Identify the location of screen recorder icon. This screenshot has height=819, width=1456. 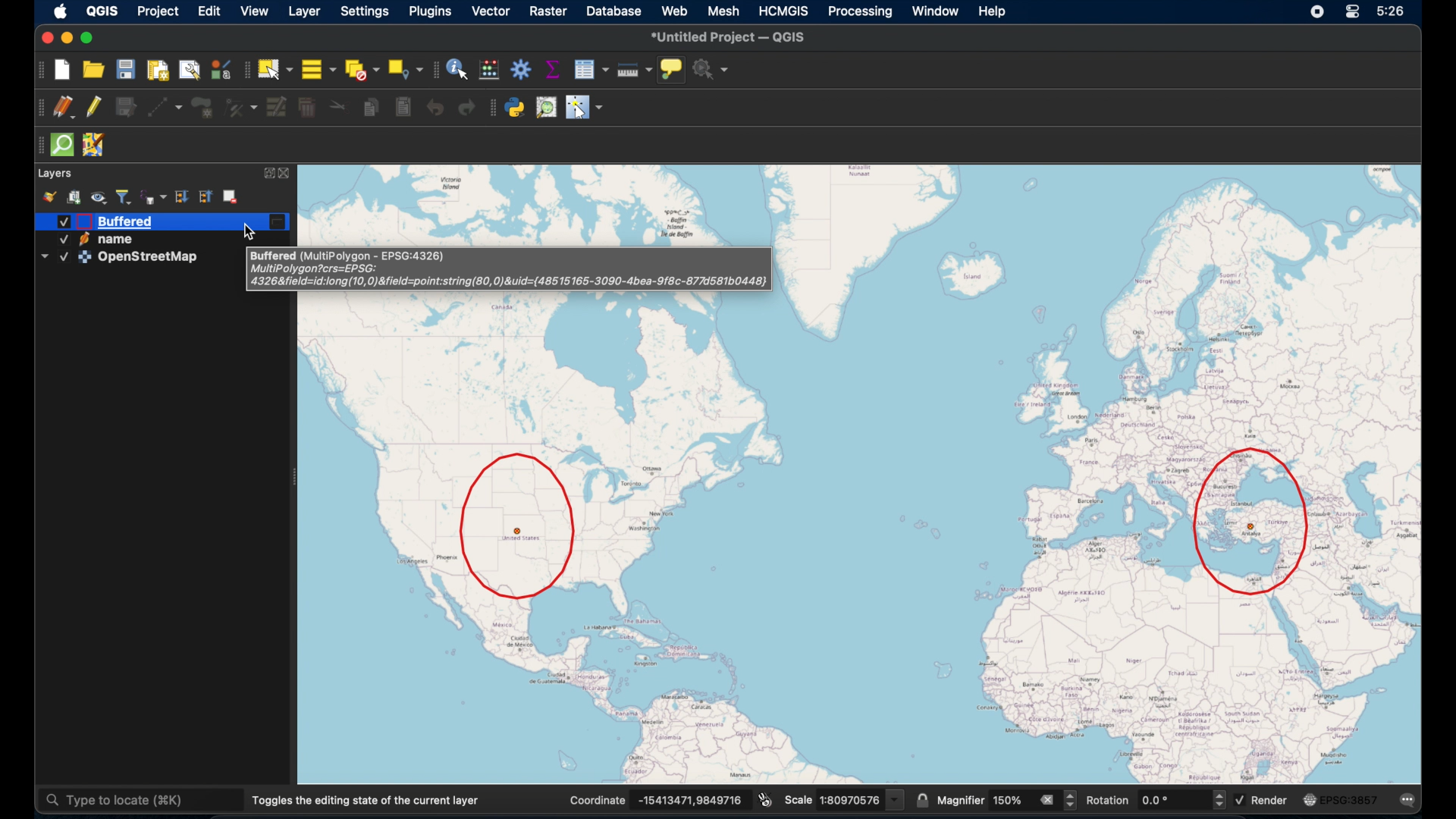
(1314, 11).